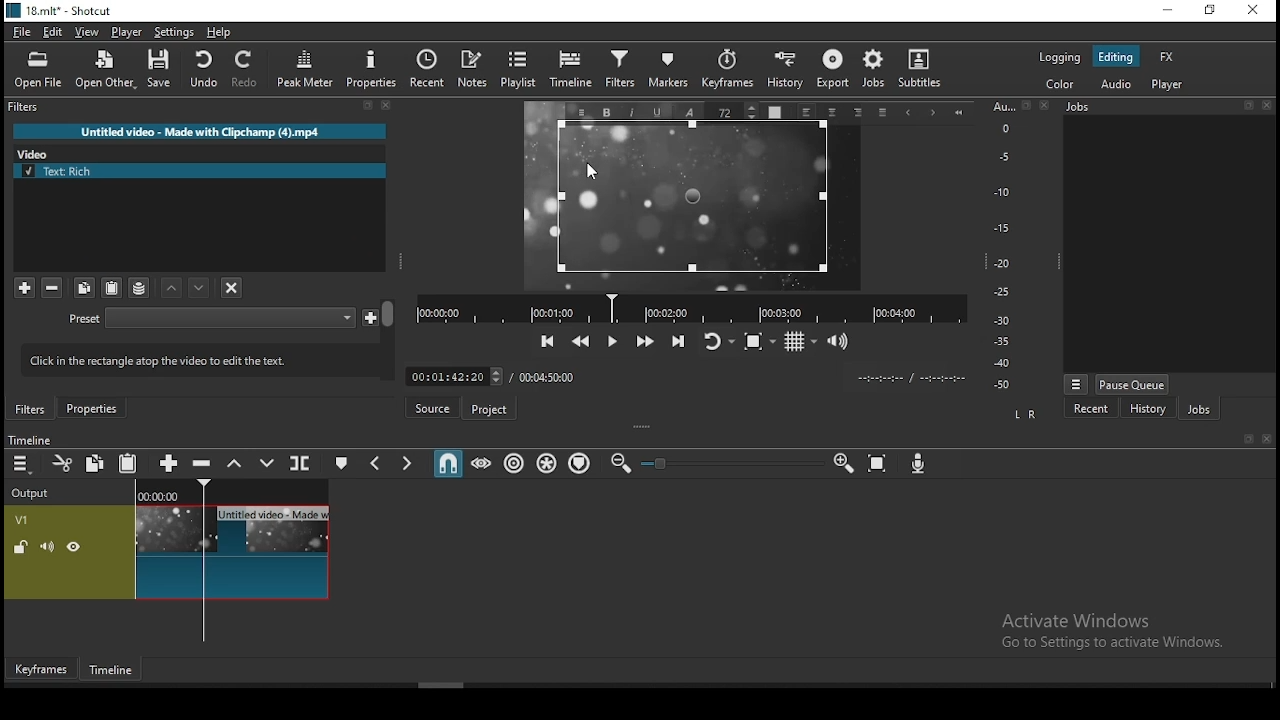 Image resolution: width=1280 pixels, height=720 pixels. I want to click on ripple markers, so click(582, 464).